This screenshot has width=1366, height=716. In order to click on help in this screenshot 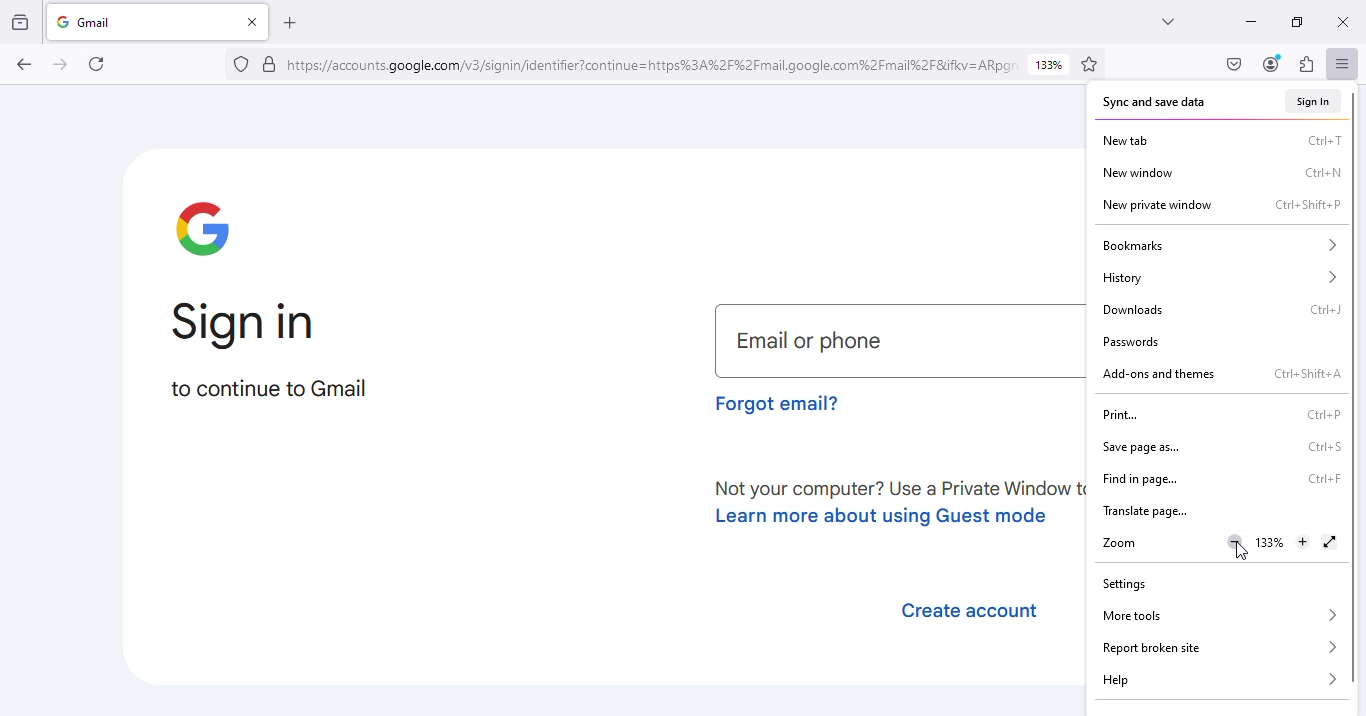, I will do `click(1220, 680)`.